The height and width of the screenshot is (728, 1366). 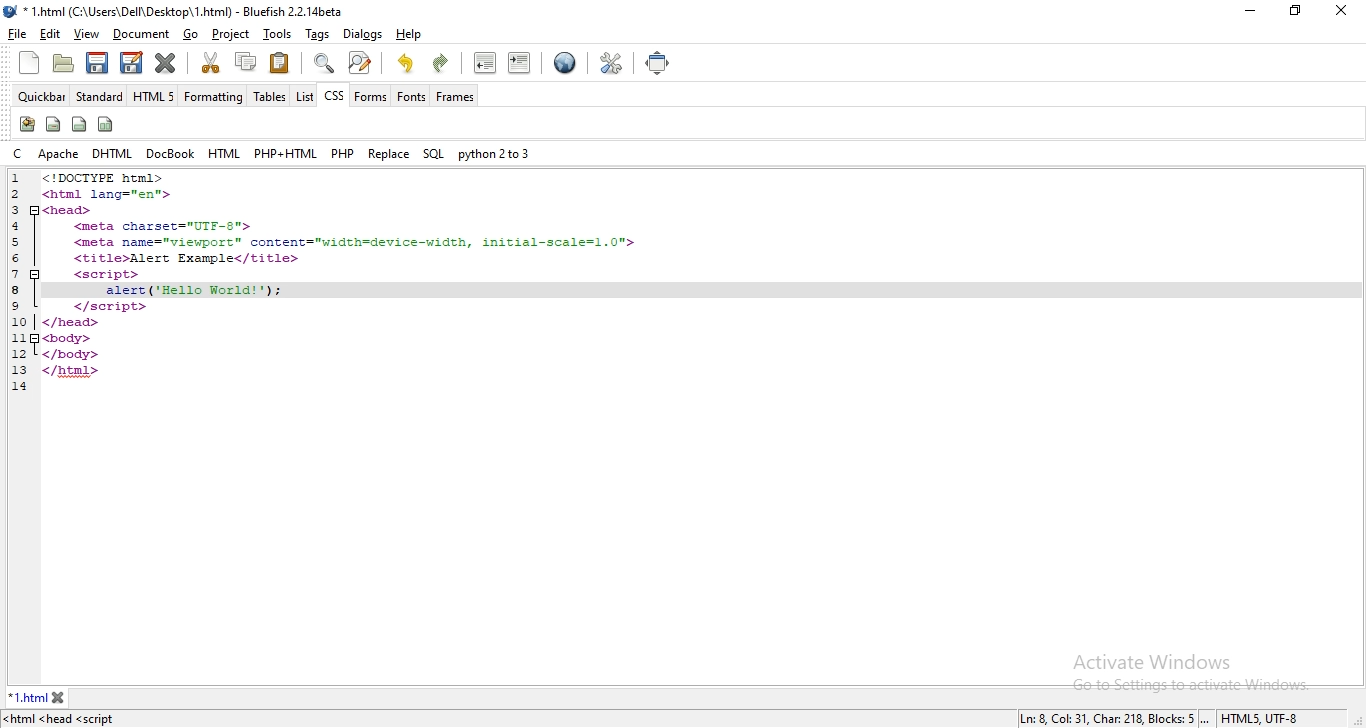 What do you see at coordinates (65, 337) in the screenshot?
I see `<body>` at bounding box center [65, 337].